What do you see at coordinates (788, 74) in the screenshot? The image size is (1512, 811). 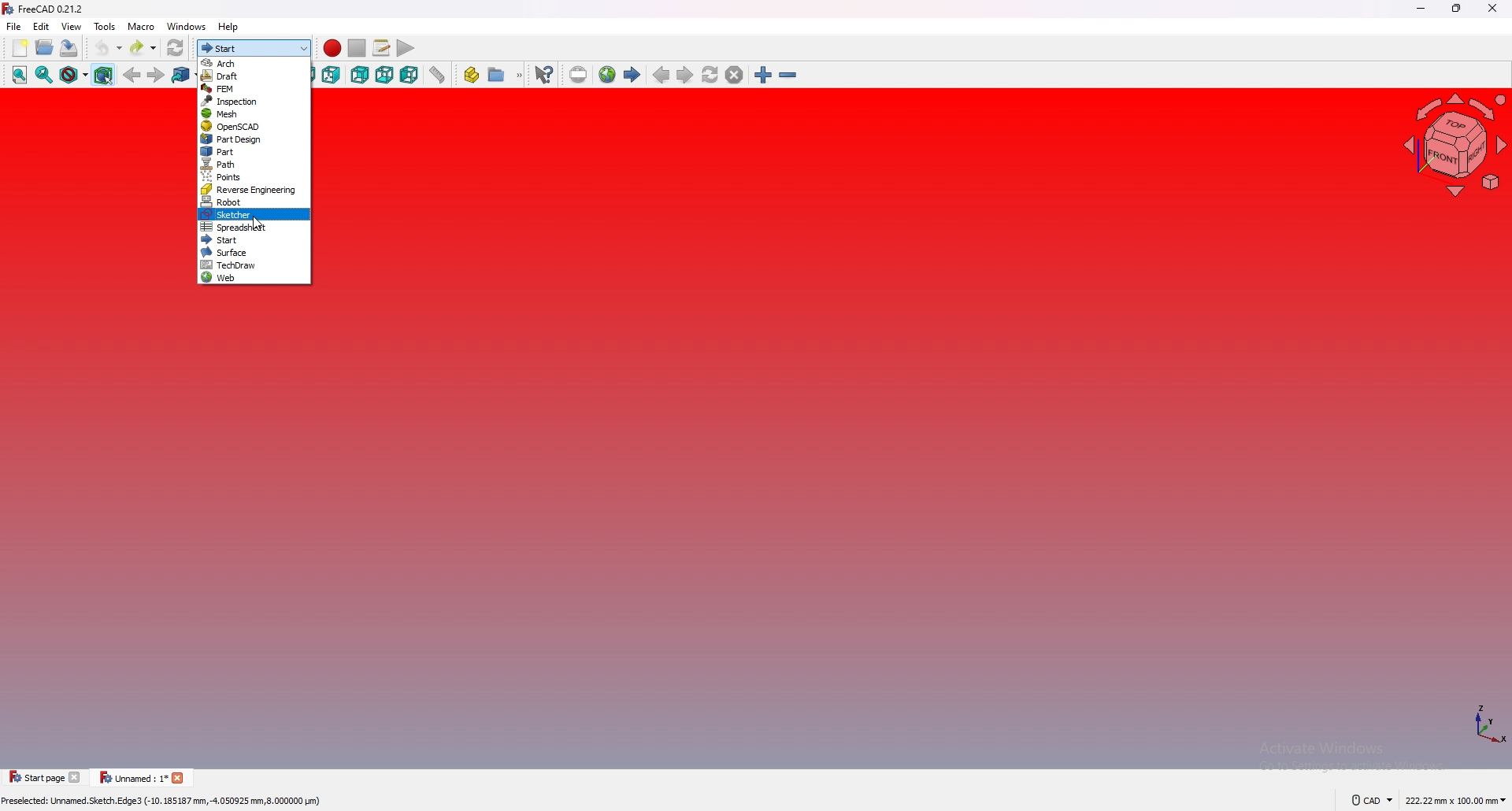 I see `zoom out` at bounding box center [788, 74].